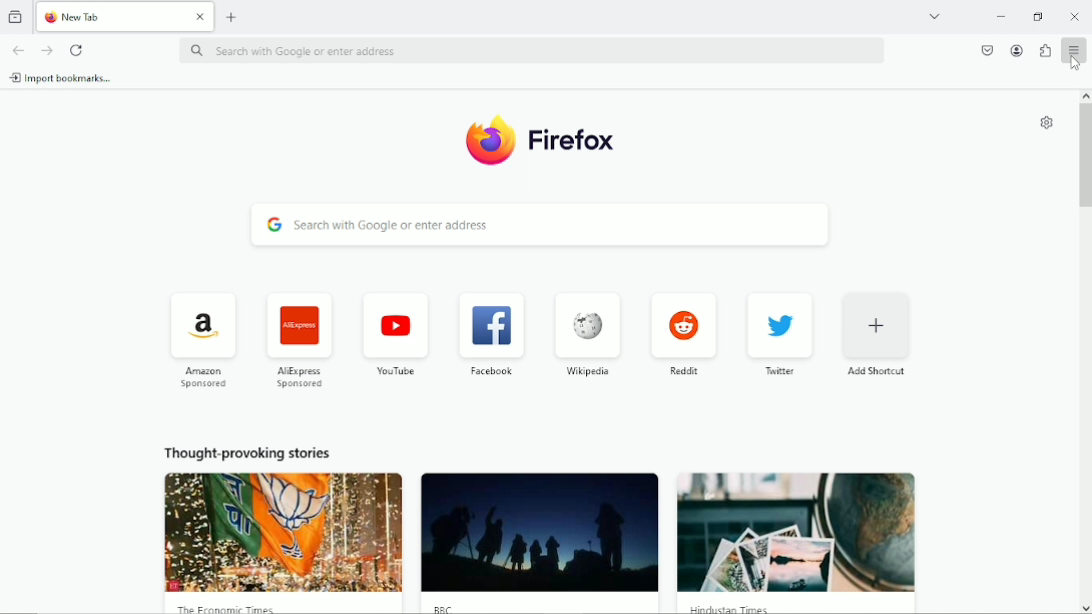 The image size is (1092, 614). Describe the element at coordinates (1085, 607) in the screenshot. I see `scroll down` at that location.